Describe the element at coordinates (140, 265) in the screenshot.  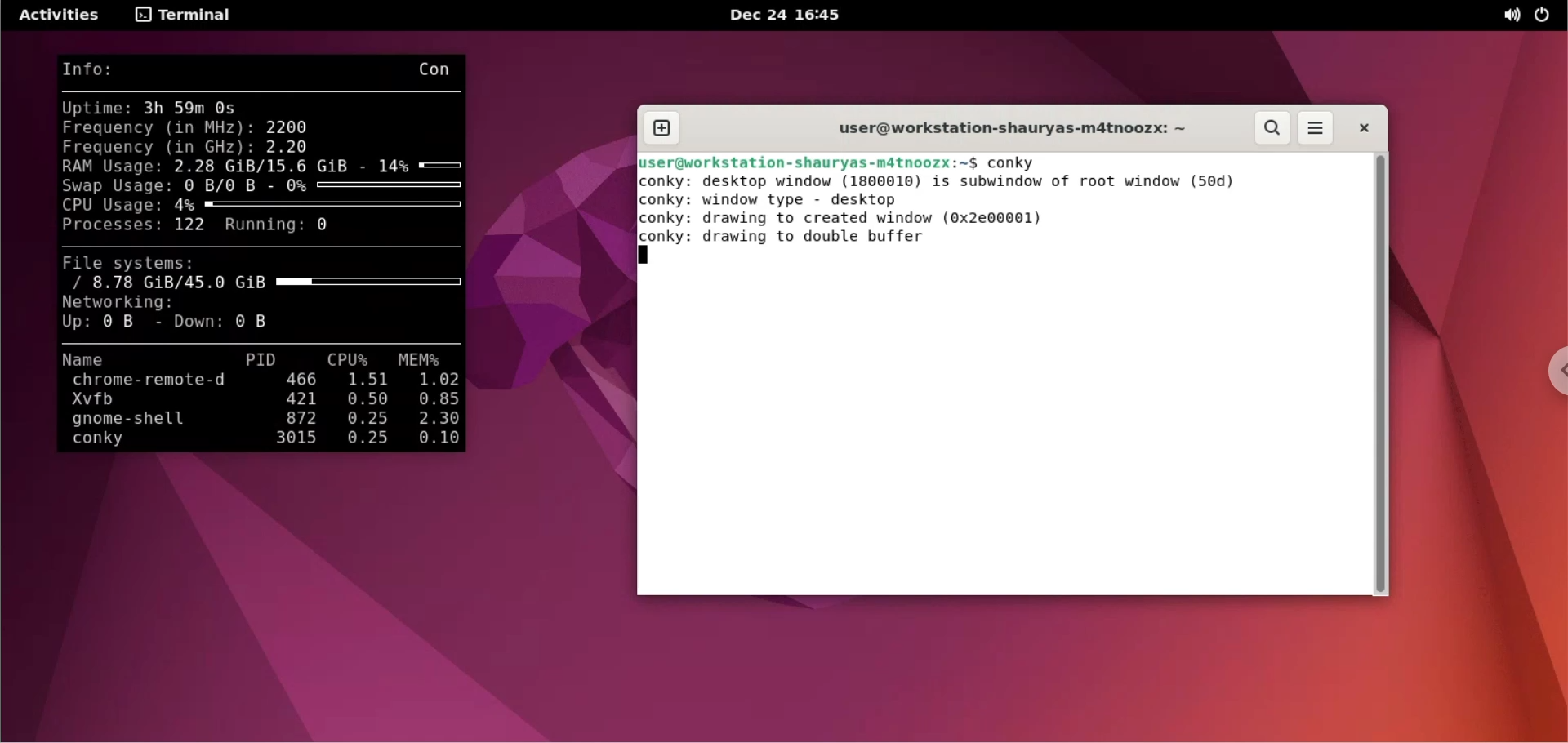
I see `file systems:` at that location.